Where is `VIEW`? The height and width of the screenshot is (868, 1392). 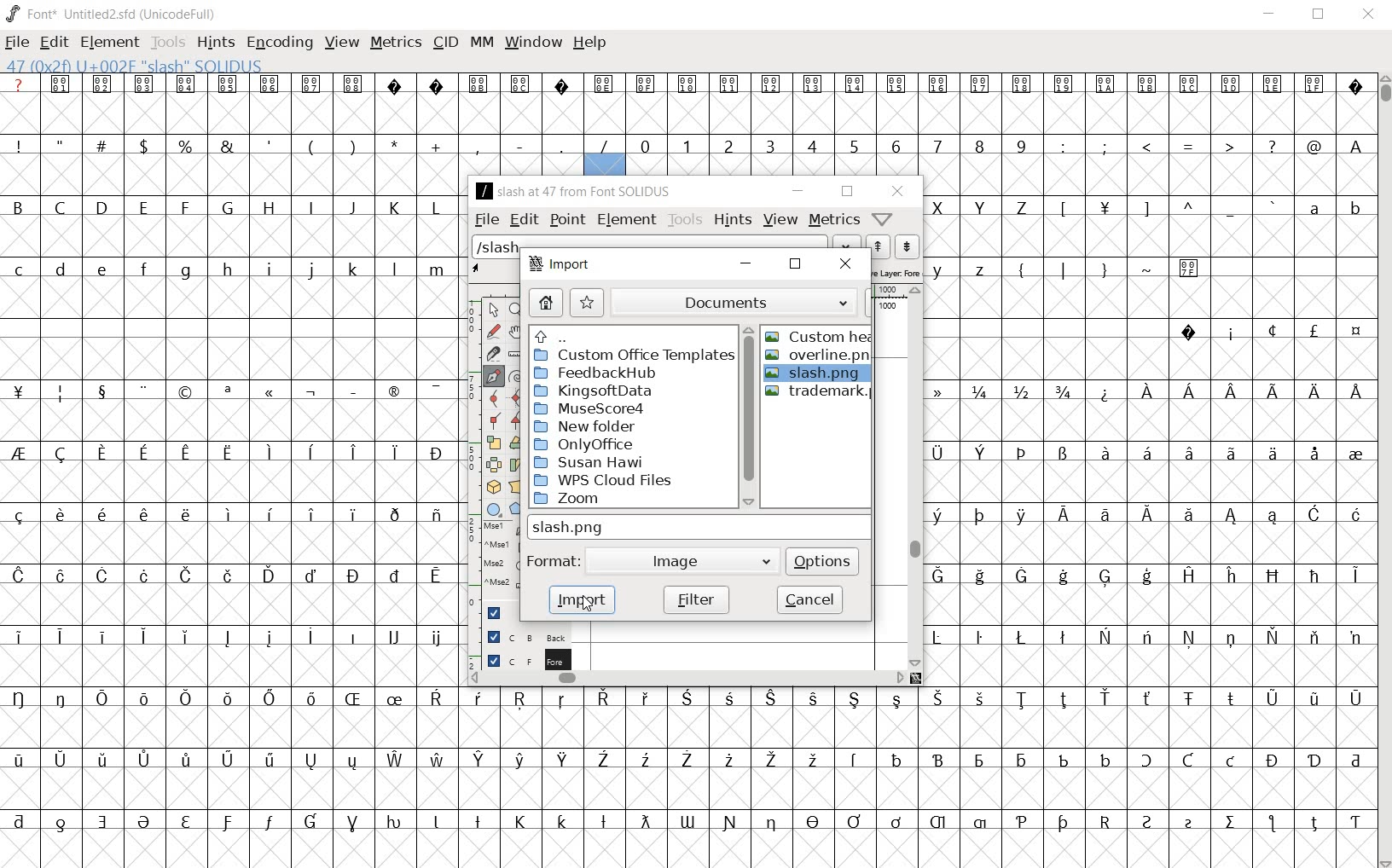 VIEW is located at coordinates (342, 43).